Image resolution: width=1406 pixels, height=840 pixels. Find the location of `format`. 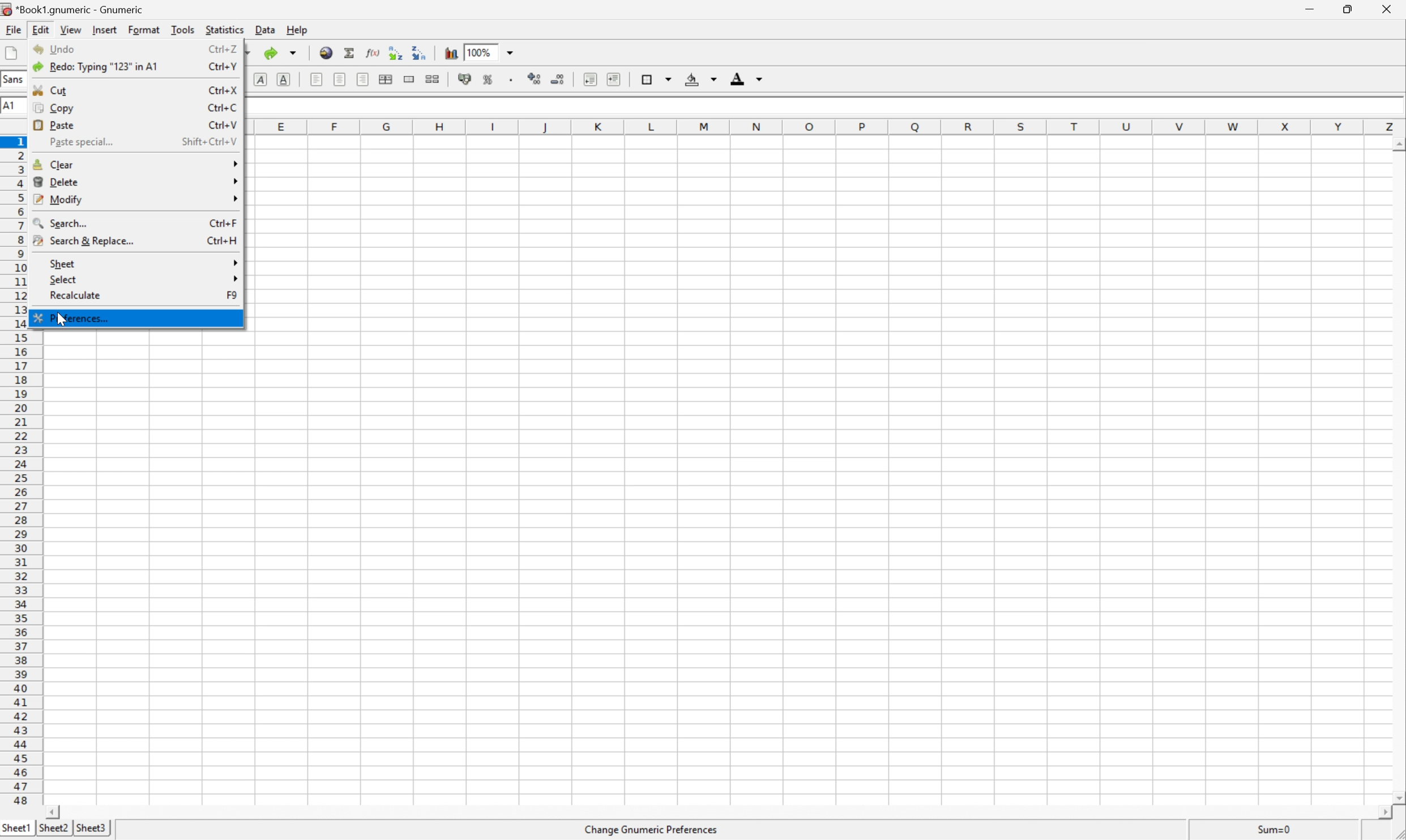

format is located at coordinates (143, 30).